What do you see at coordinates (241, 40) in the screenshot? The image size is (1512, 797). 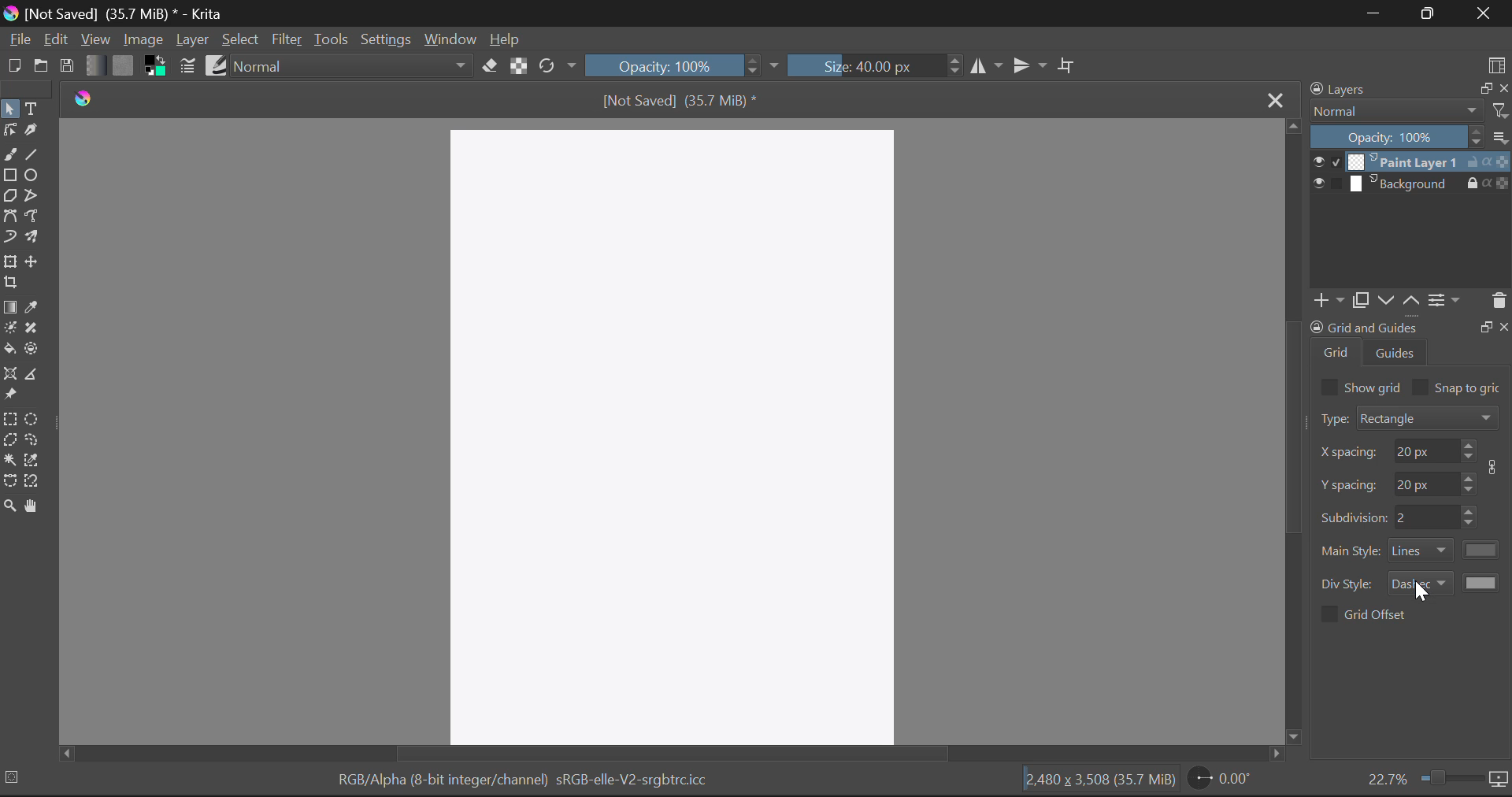 I see `Select` at bounding box center [241, 40].